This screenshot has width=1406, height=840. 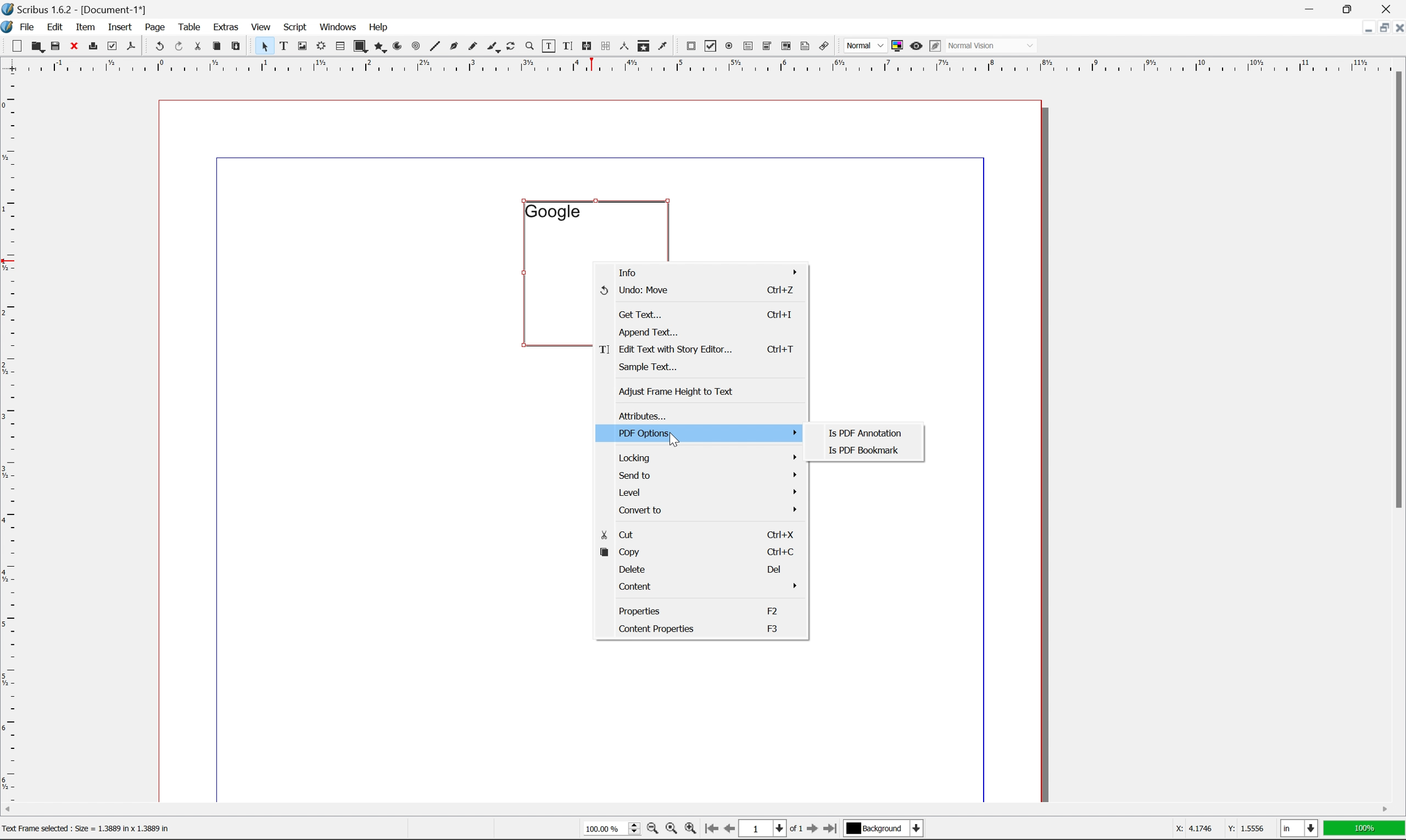 What do you see at coordinates (710, 509) in the screenshot?
I see `convert to` at bounding box center [710, 509].